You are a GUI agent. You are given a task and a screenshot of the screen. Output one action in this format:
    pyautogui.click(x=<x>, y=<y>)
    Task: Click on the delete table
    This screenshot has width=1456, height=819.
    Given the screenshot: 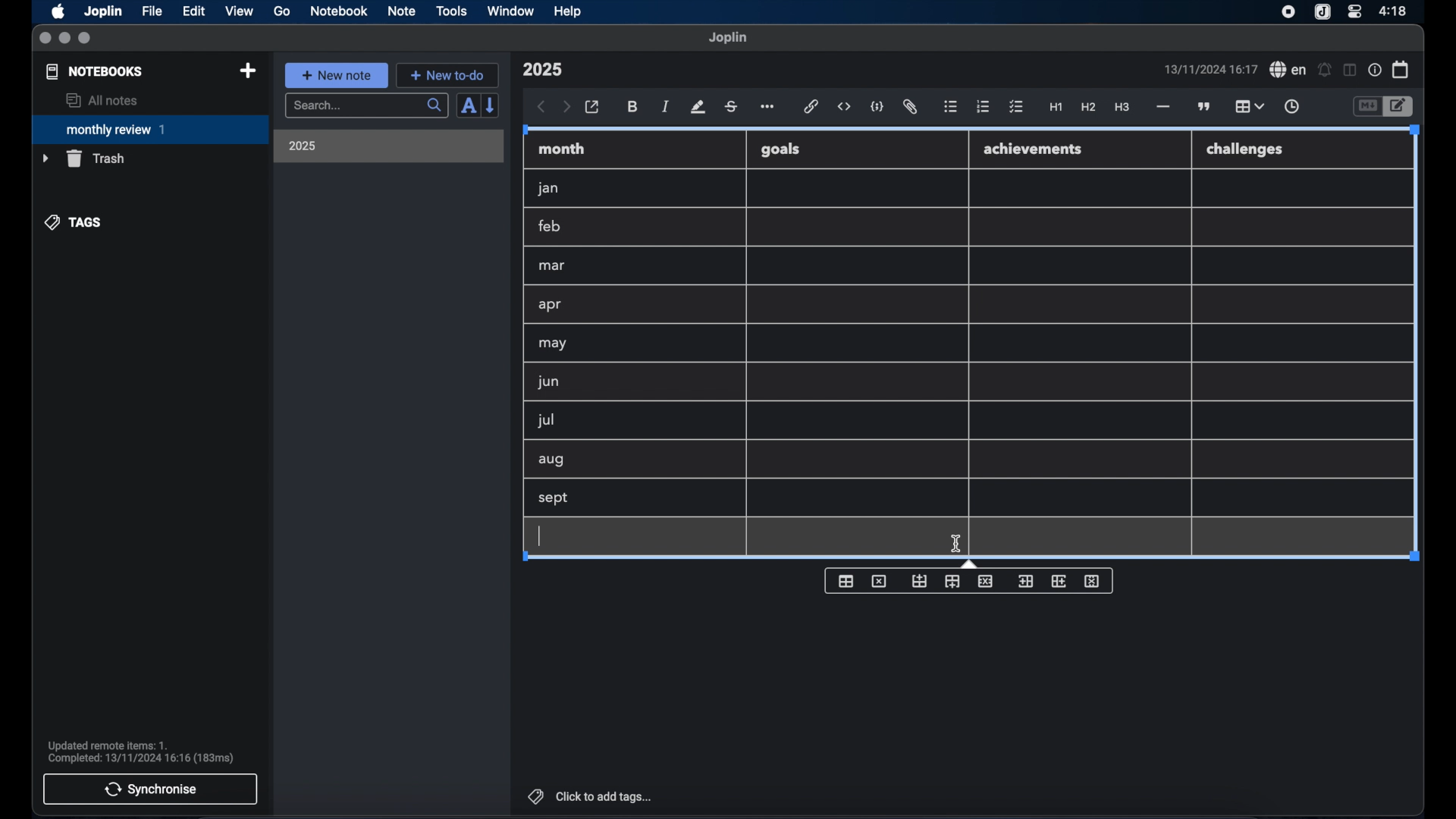 What is the action you would take?
    pyautogui.click(x=880, y=581)
    